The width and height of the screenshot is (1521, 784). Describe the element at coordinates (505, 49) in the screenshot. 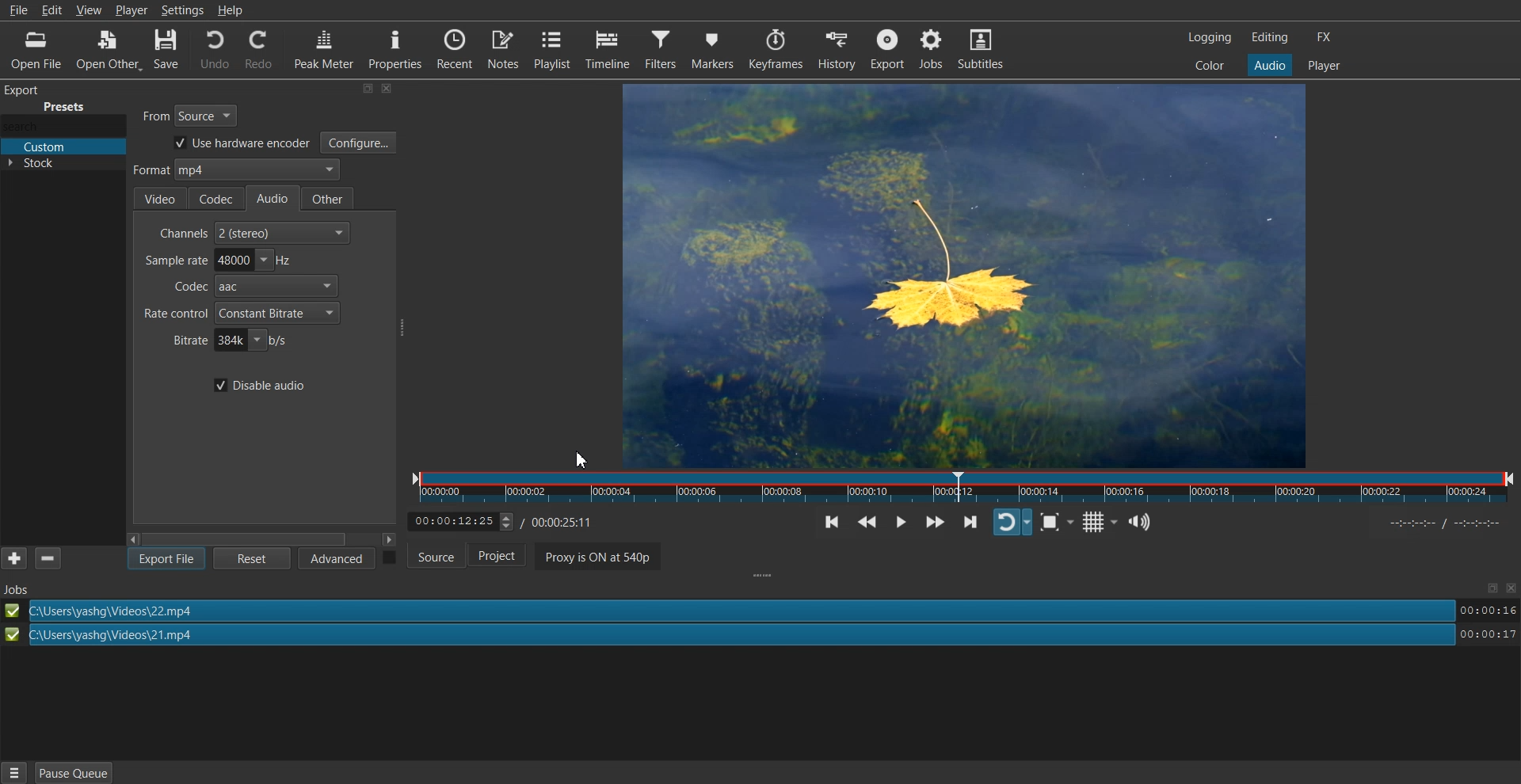

I see `Notes` at that location.